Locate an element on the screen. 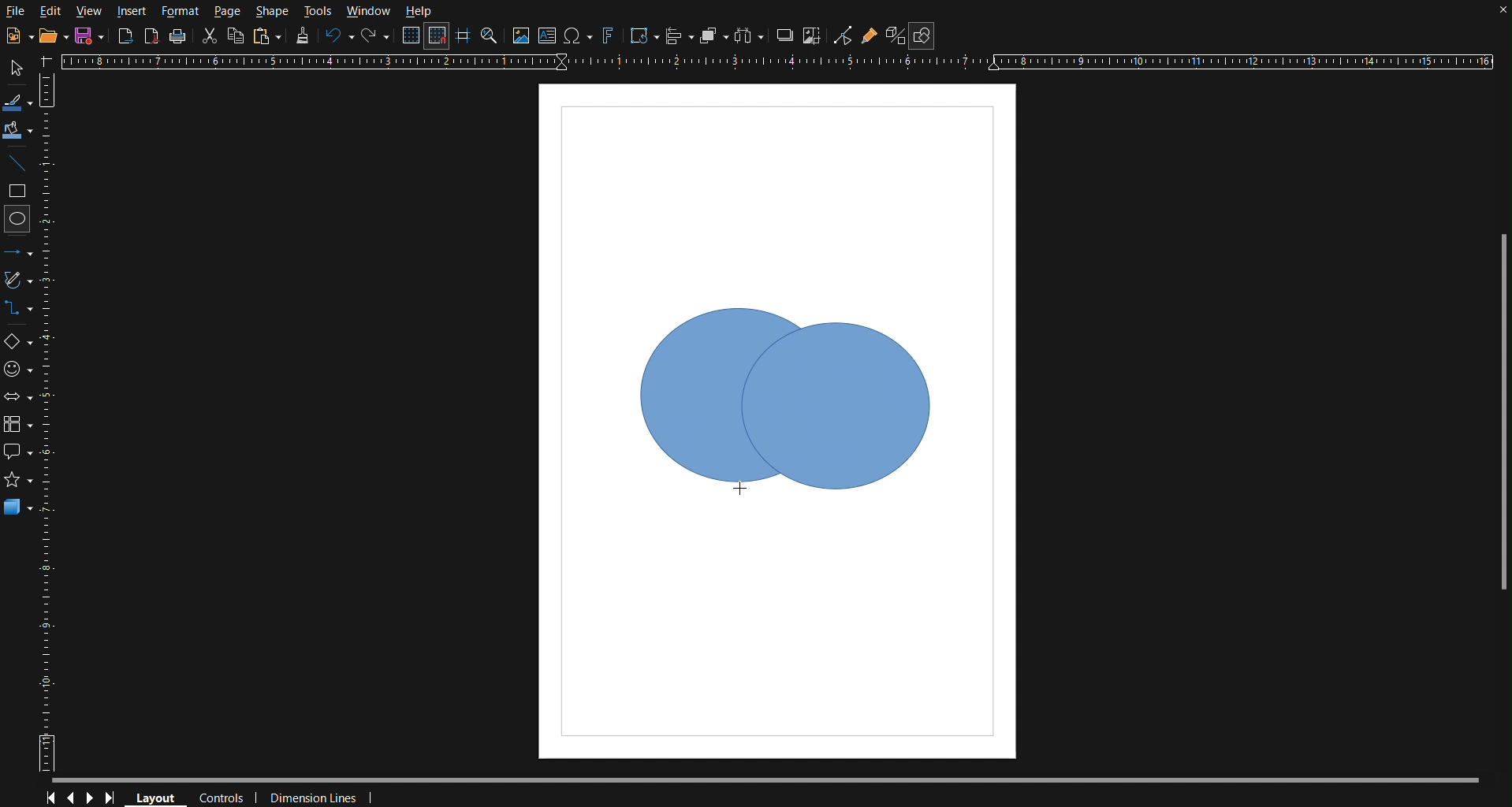  Textbox is located at coordinates (549, 35).